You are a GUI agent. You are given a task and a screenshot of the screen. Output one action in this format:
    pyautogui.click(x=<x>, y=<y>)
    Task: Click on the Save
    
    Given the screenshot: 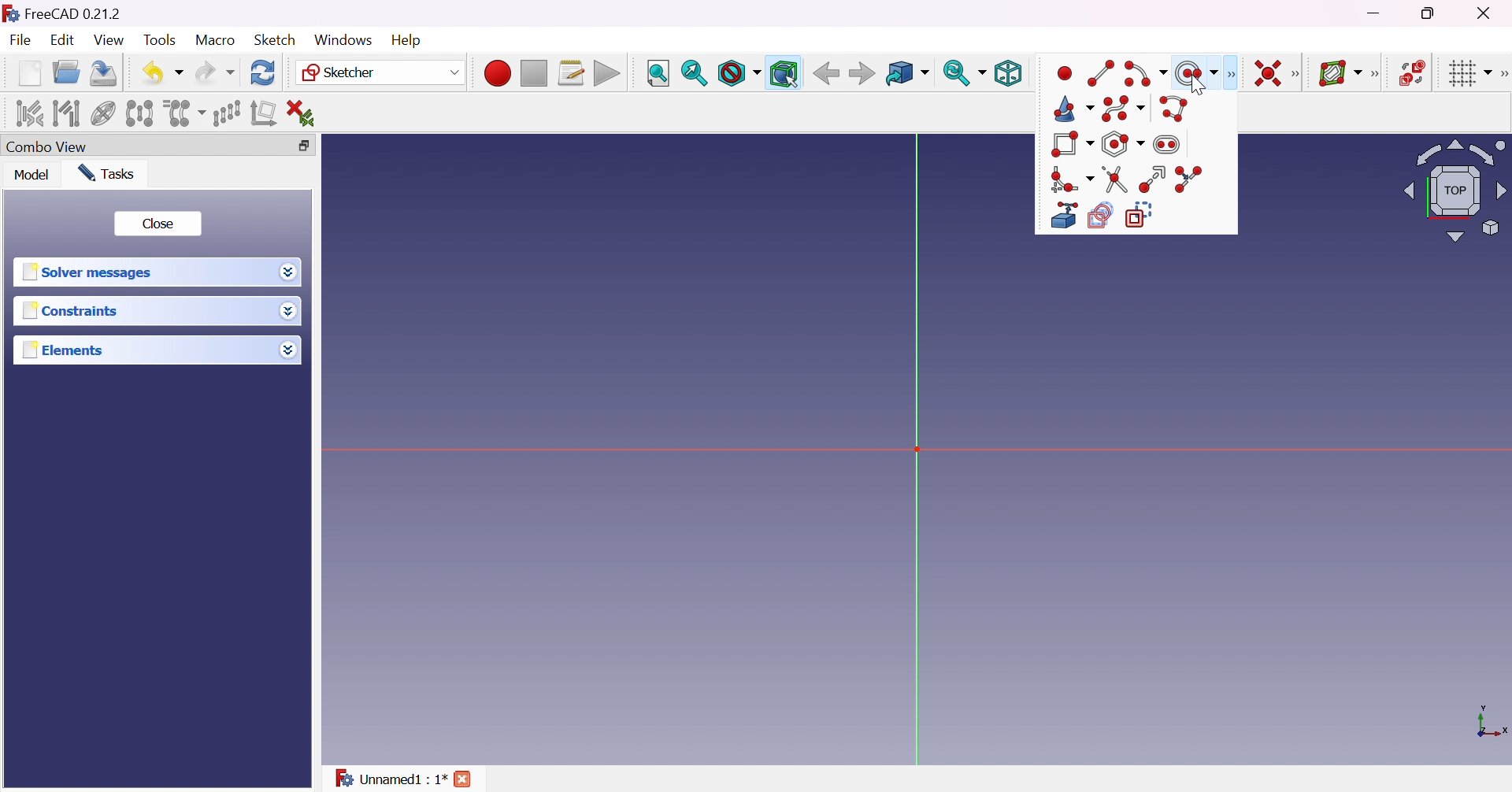 What is the action you would take?
    pyautogui.click(x=101, y=72)
    